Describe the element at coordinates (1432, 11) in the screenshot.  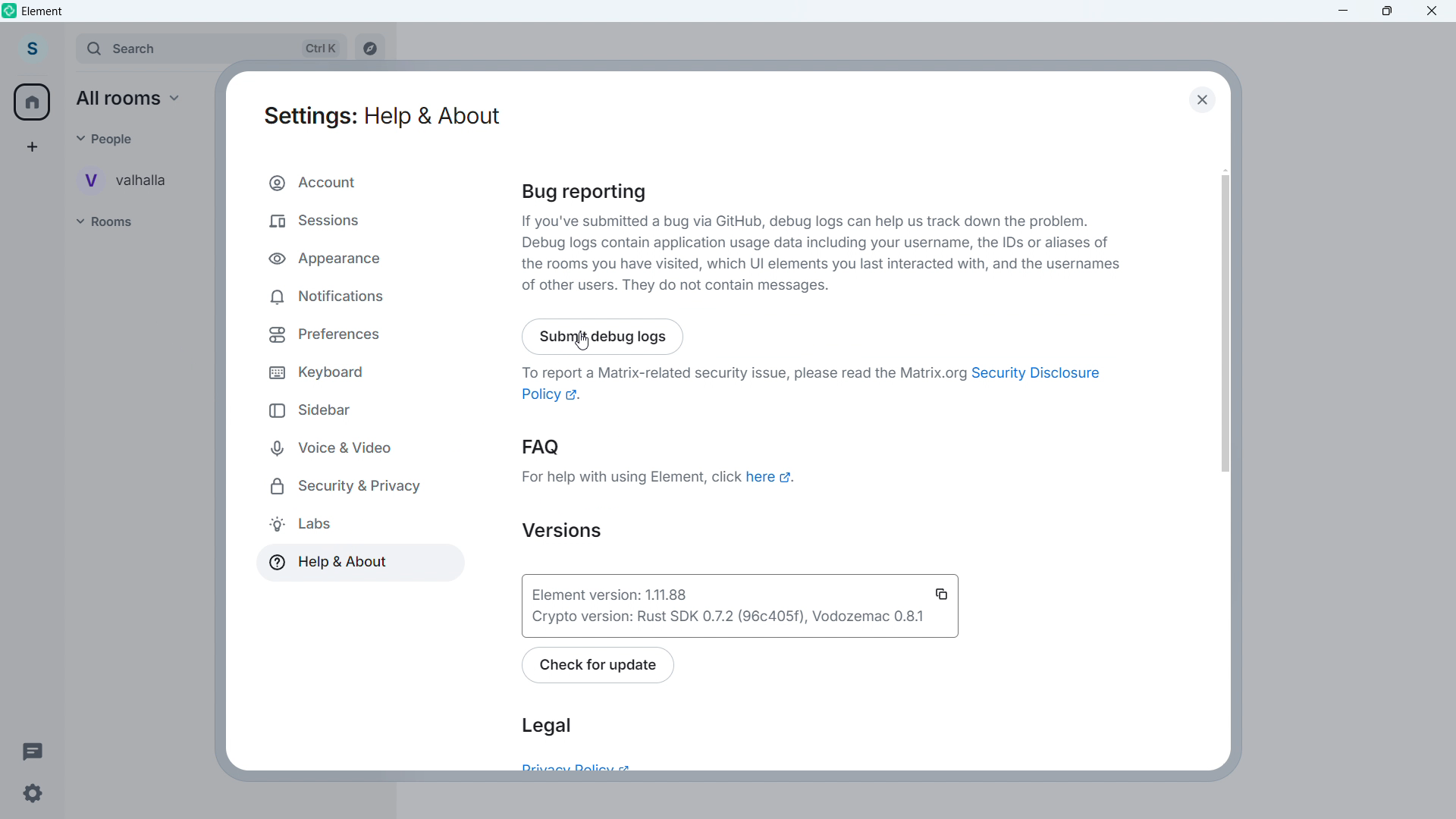
I see `Close ` at that location.